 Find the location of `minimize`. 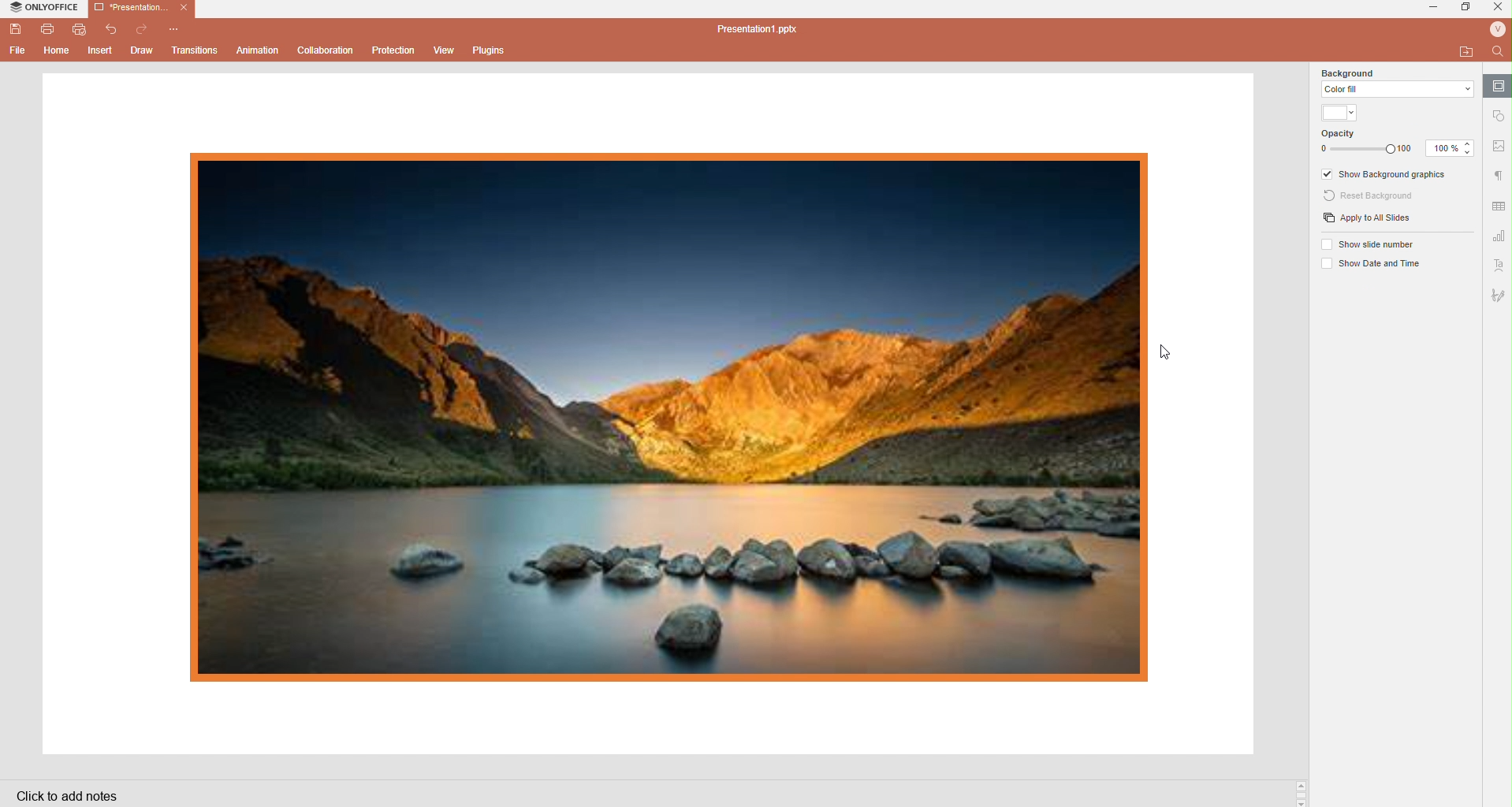

minimize is located at coordinates (1436, 7).